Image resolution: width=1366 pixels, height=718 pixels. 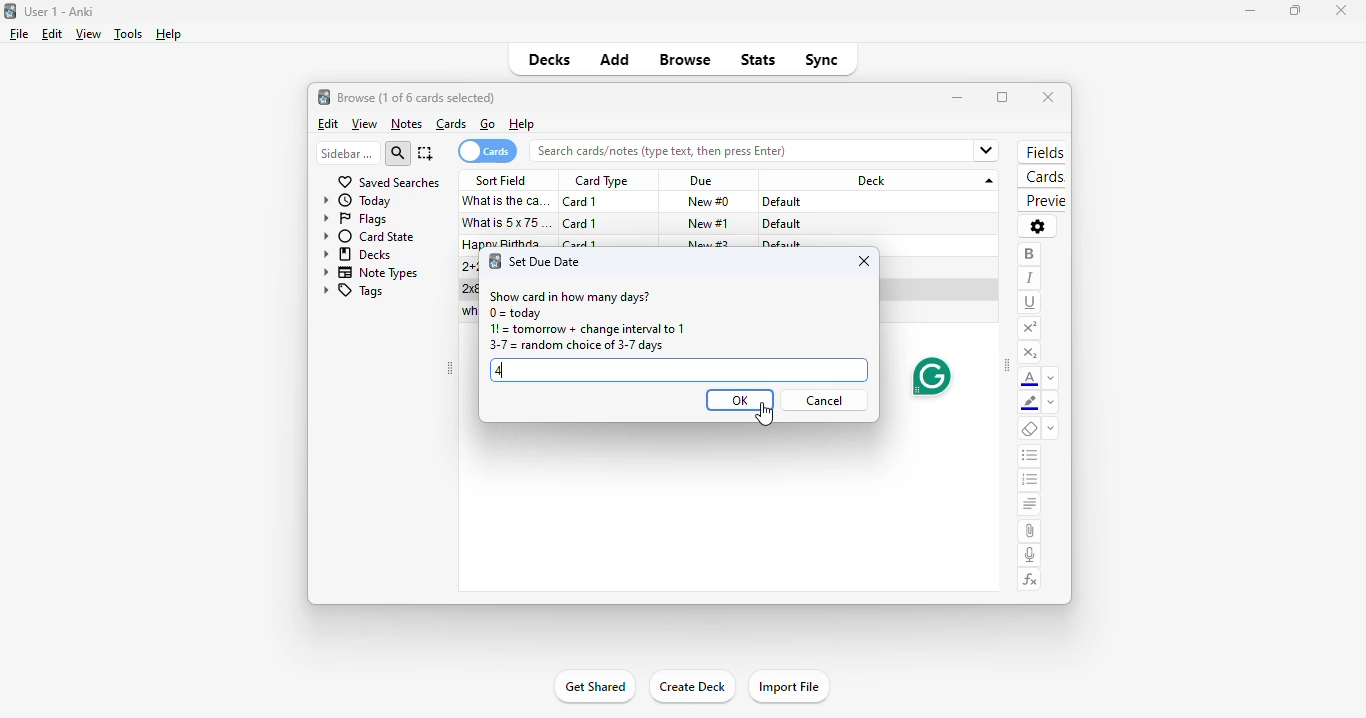 I want to click on get shared, so click(x=593, y=688).